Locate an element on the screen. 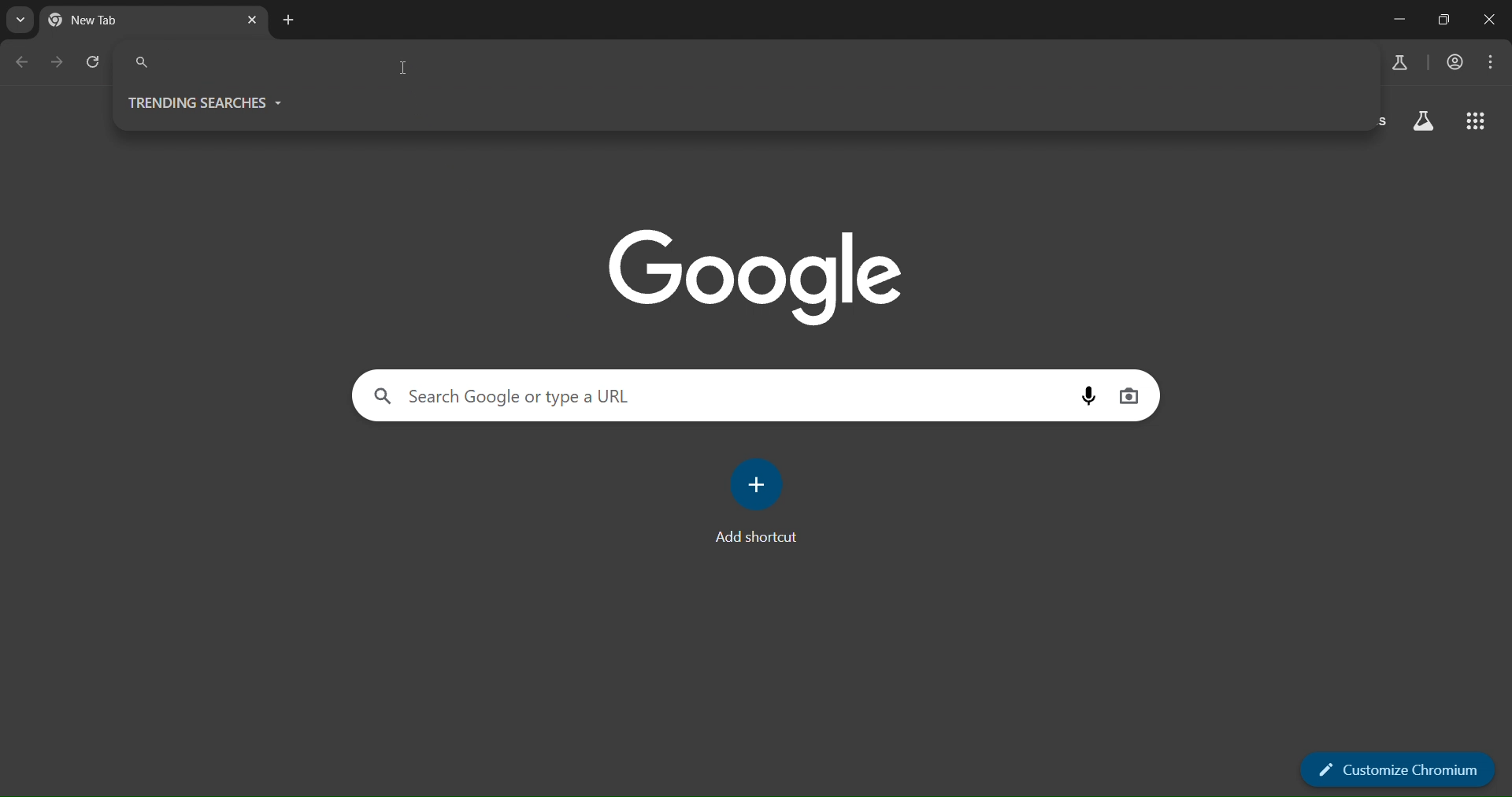 Image resolution: width=1512 pixels, height=797 pixels. menu is located at coordinates (1493, 60).